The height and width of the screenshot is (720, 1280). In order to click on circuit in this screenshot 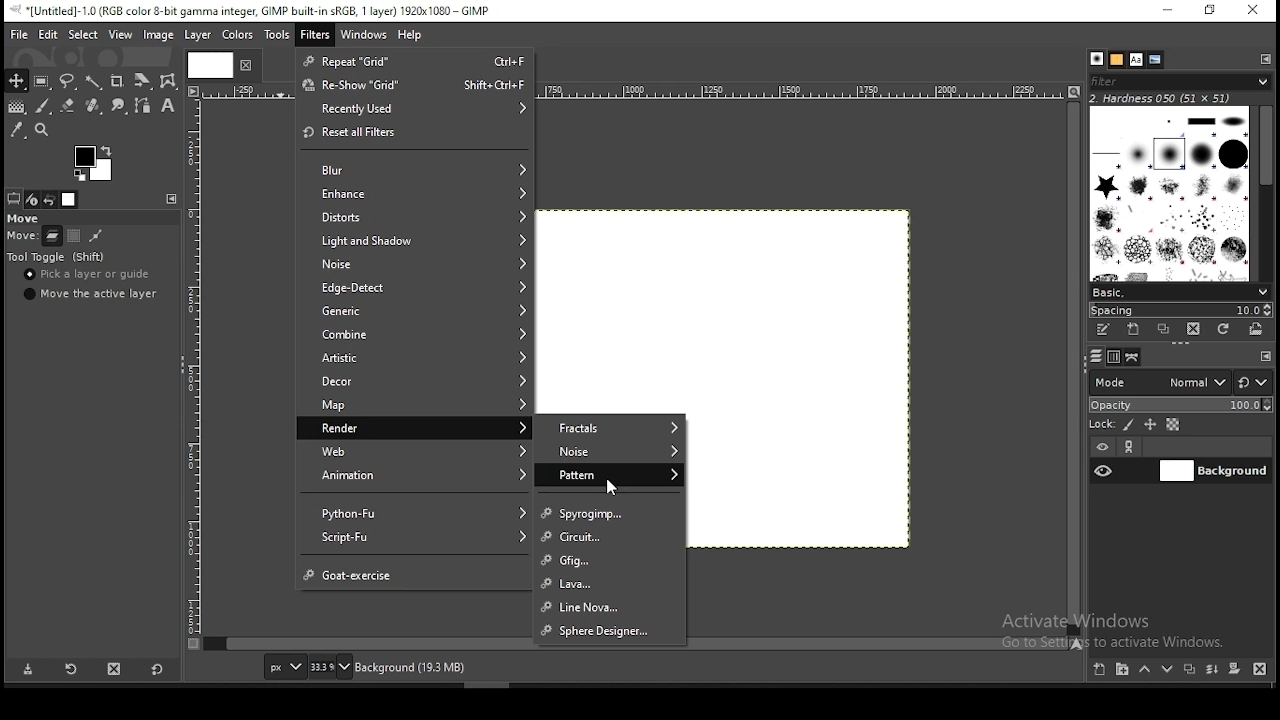, I will do `click(609, 536)`.